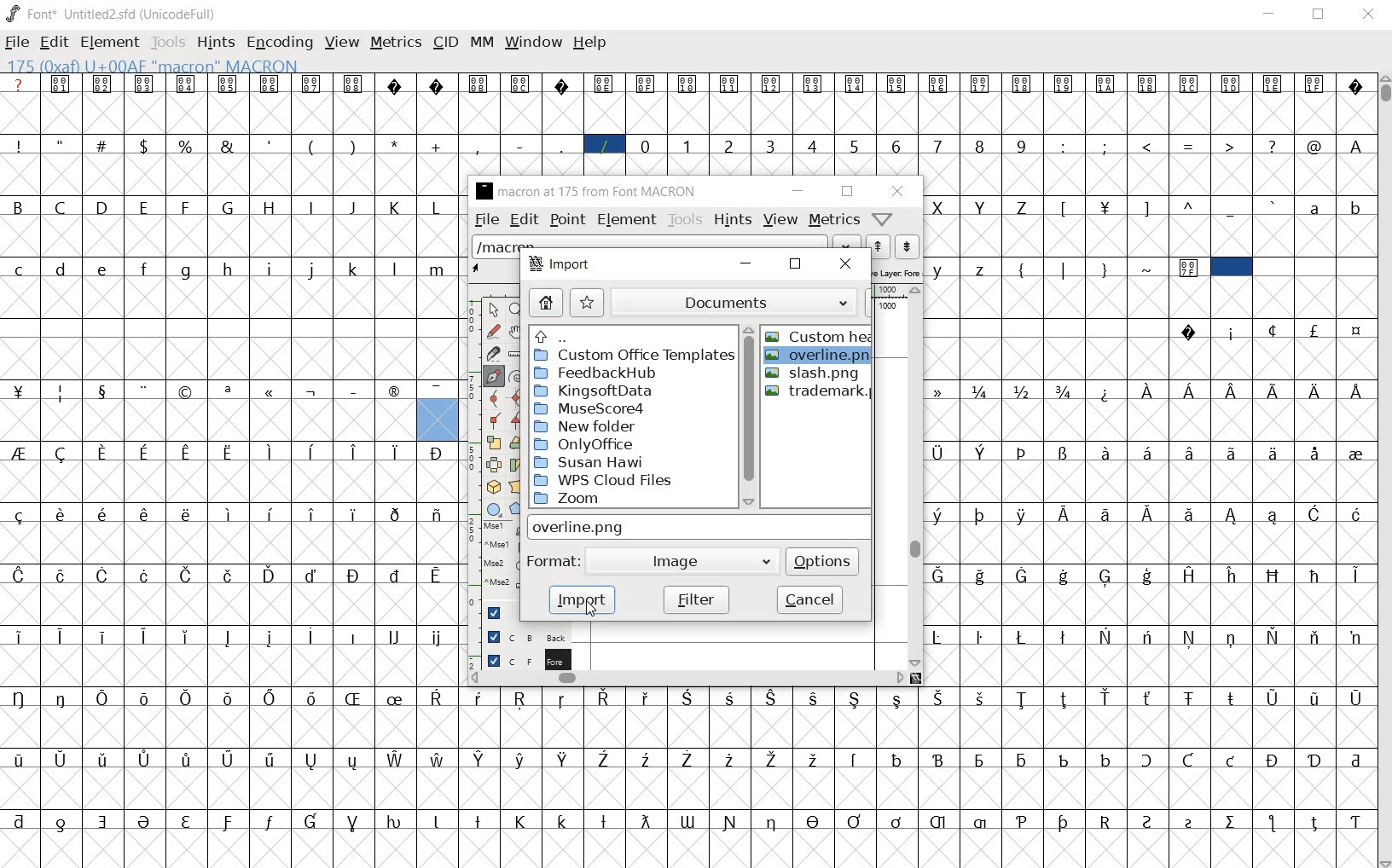 This screenshot has width=1392, height=868. Describe the element at coordinates (820, 336) in the screenshot. I see `Custom hea` at that location.